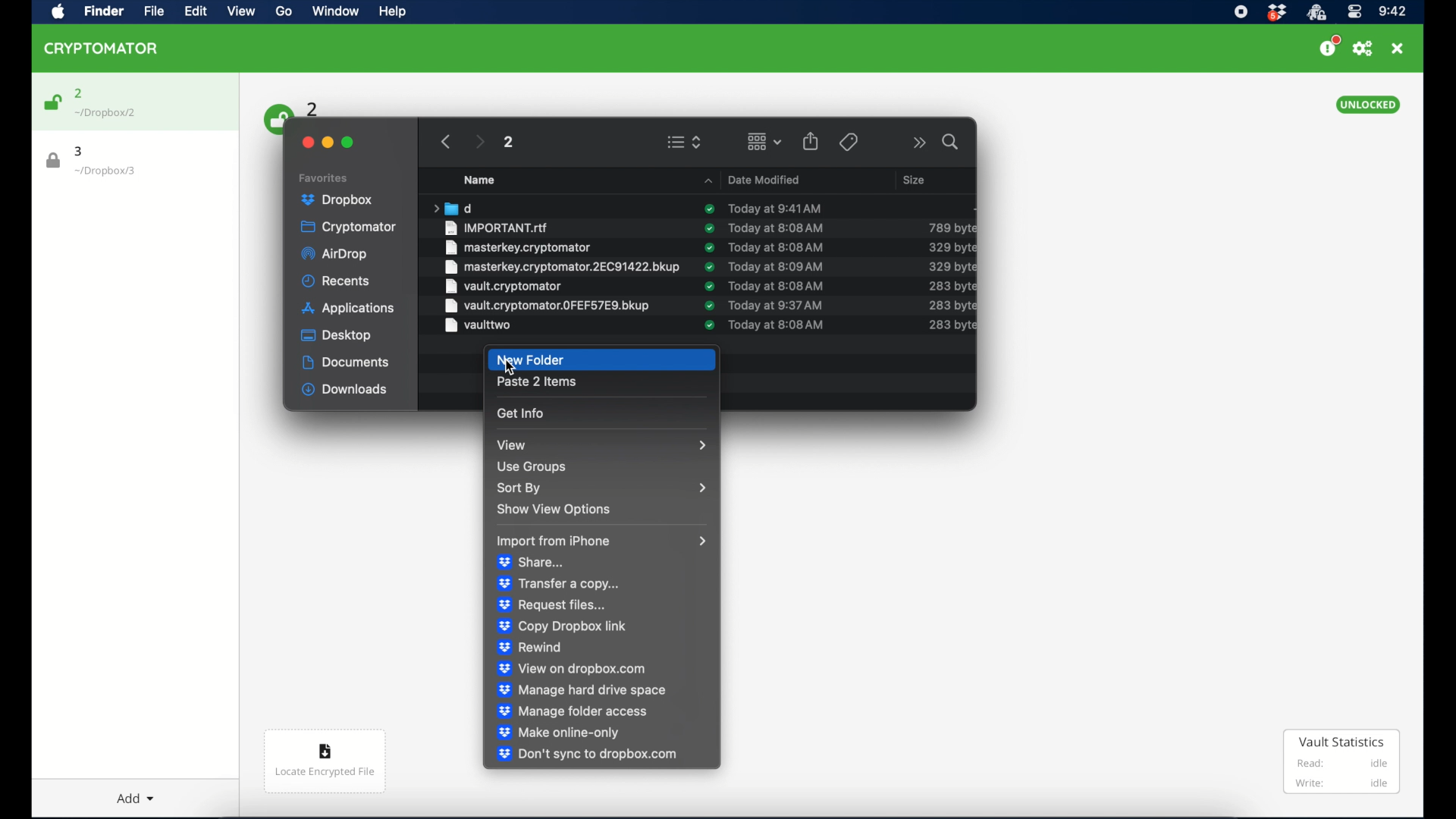  I want to click on transfer a copy, so click(559, 584).